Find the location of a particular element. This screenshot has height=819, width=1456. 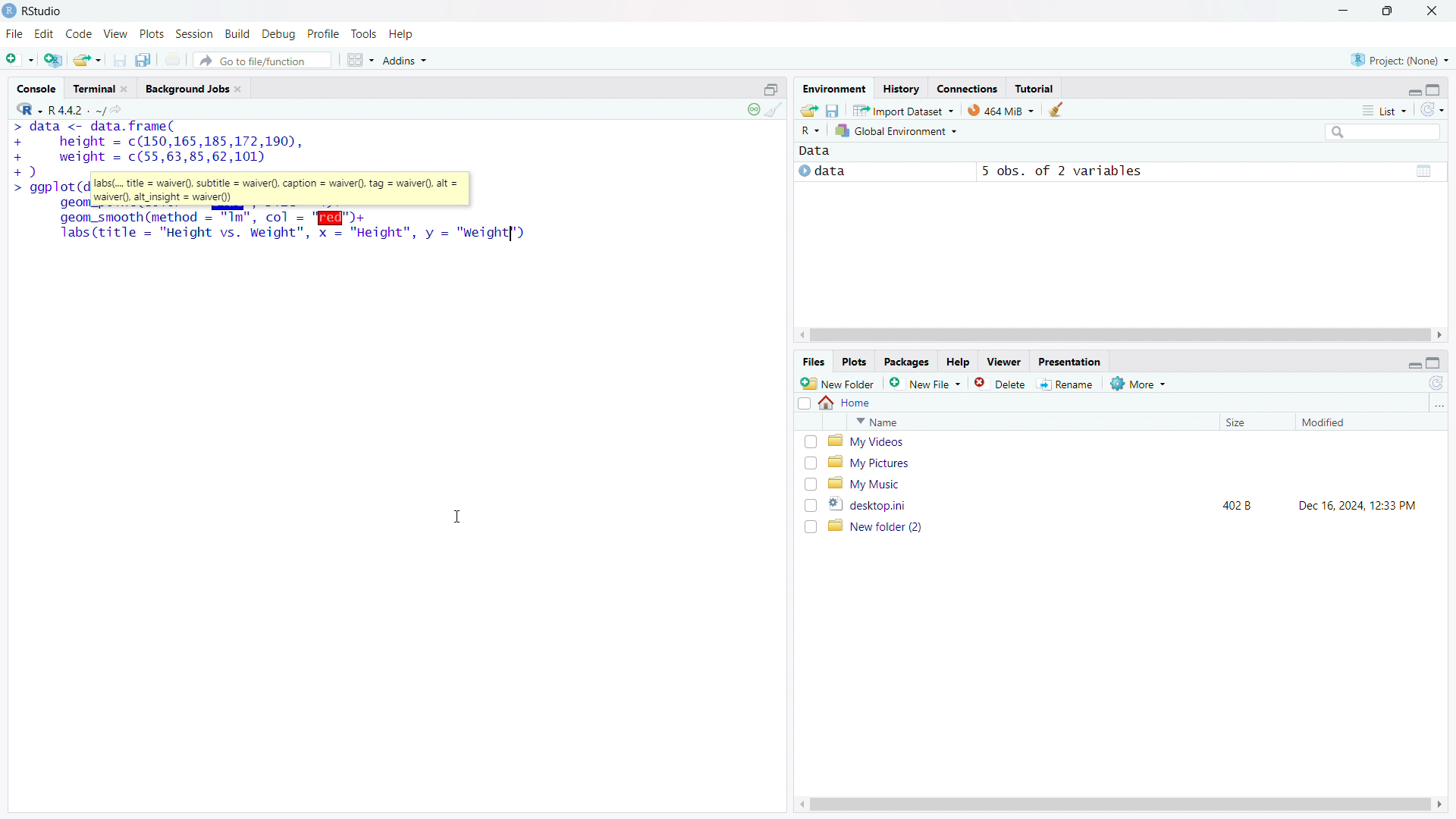

code is located at coordinates (79, 34).